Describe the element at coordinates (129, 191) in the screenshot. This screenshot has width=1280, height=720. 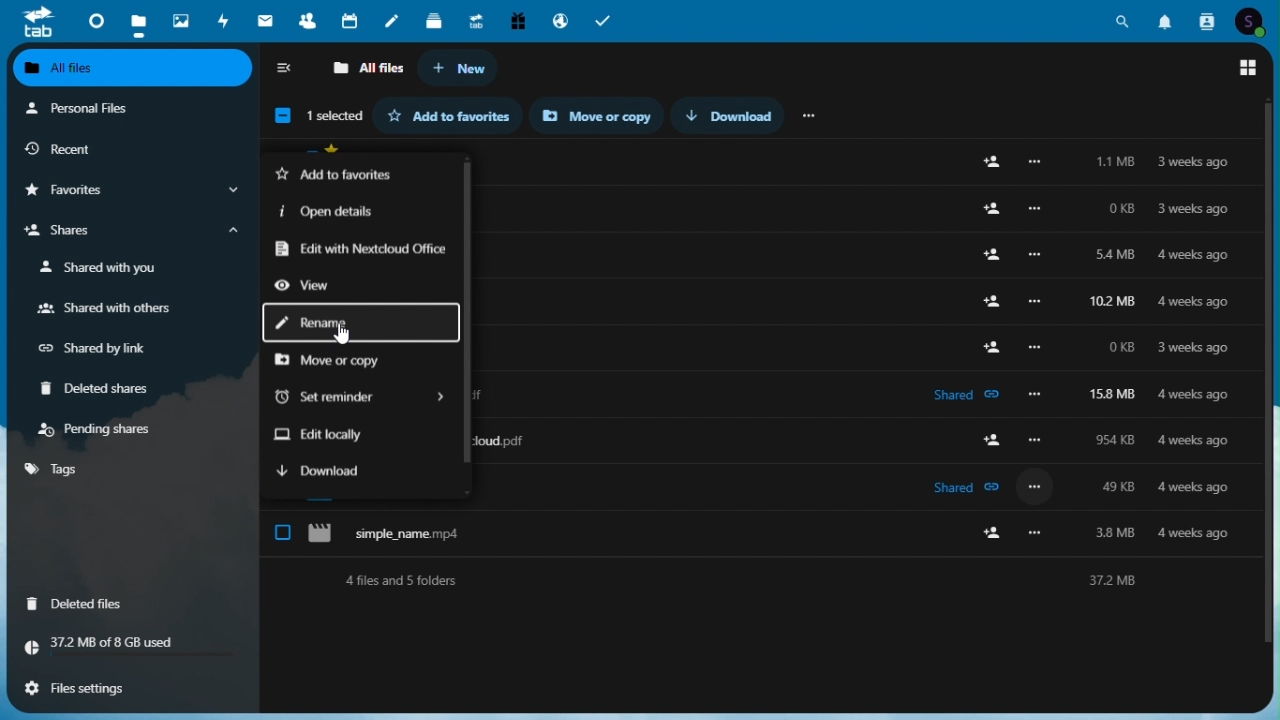
I see `favourites` at that location.